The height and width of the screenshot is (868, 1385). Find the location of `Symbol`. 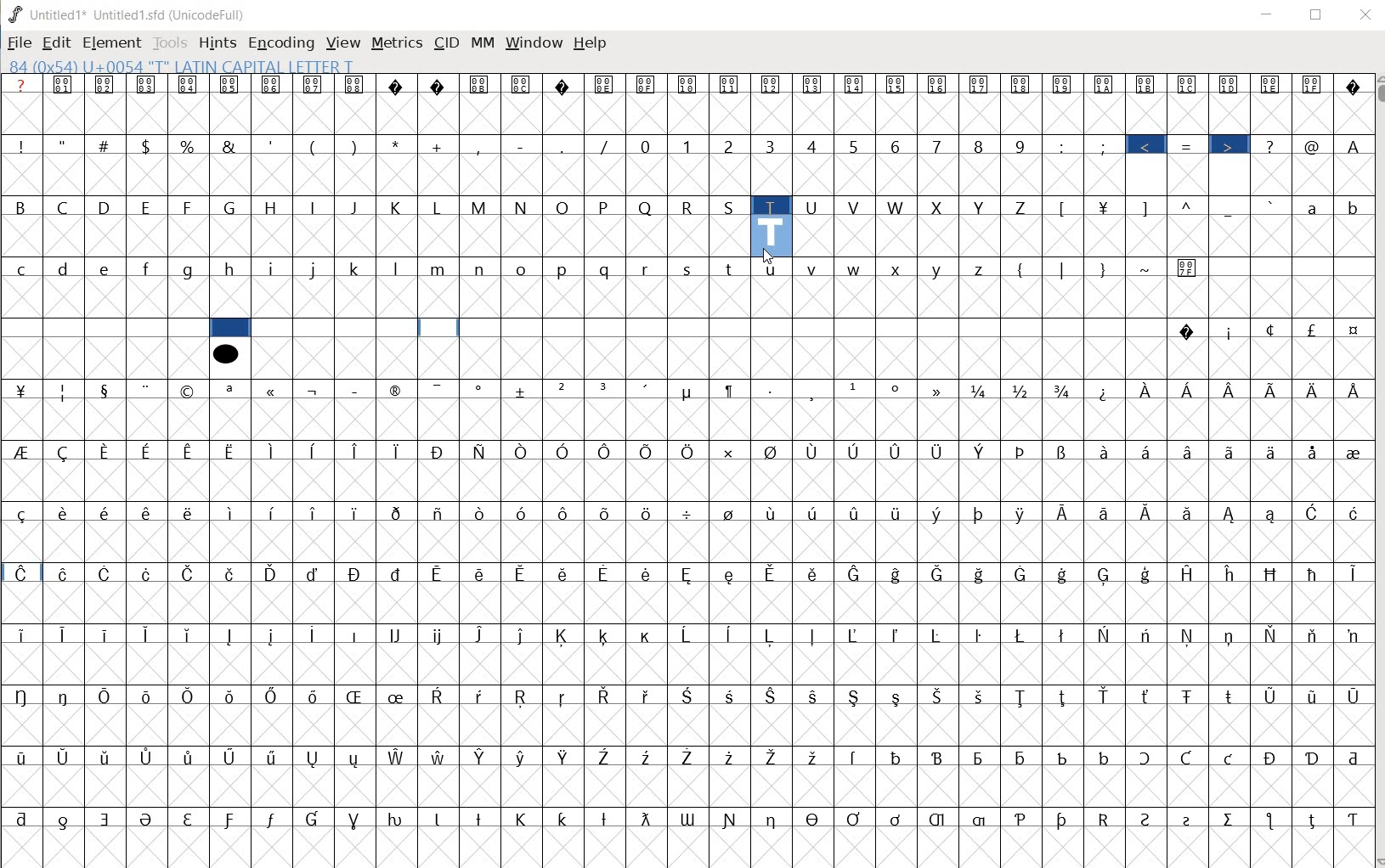

Symbol is located at coordinates (524, 635).